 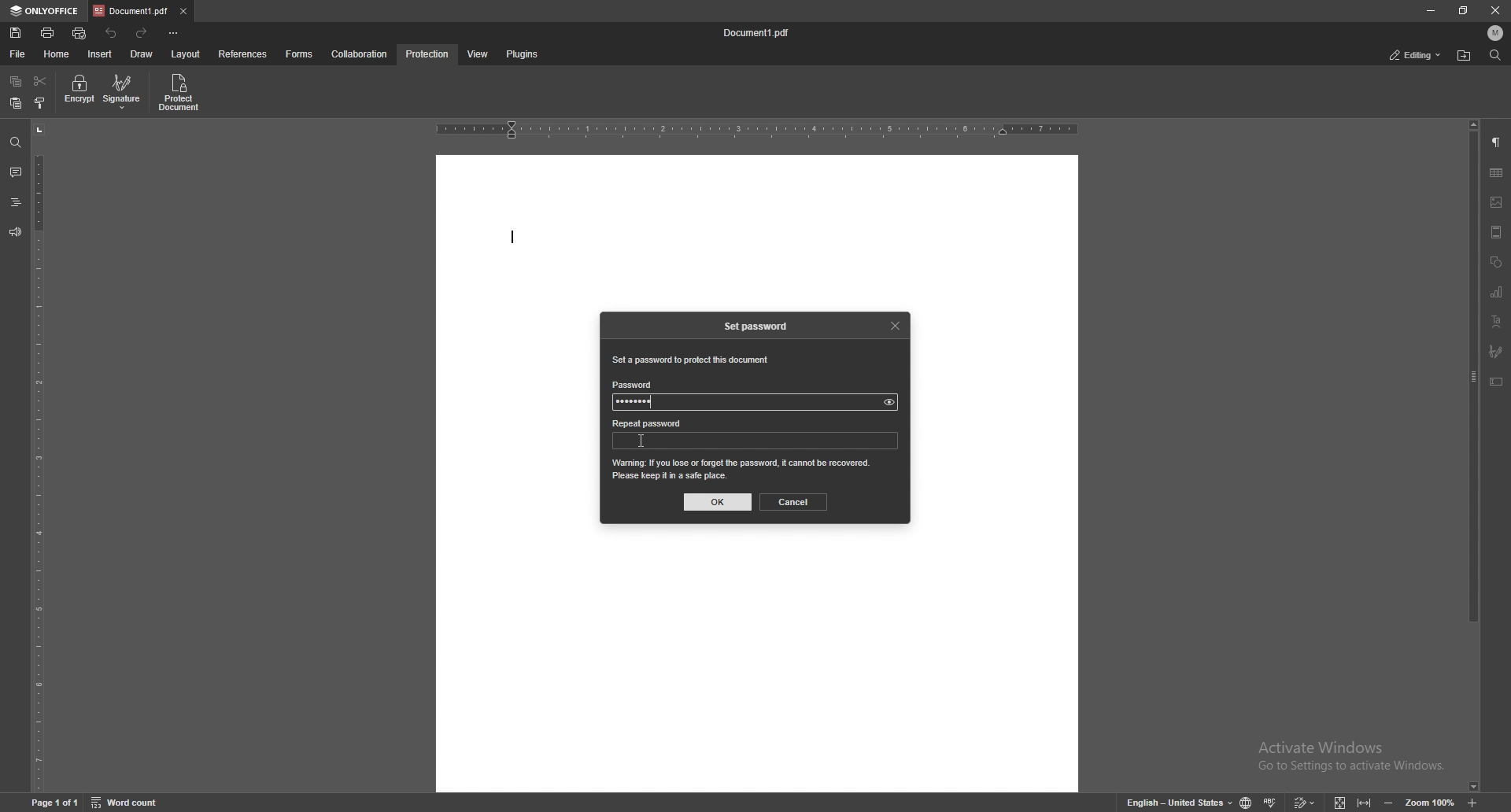 What do you see at coordinates (179, 93) in the screenshot?
I see `protect document` at bounding box center [179, 93].